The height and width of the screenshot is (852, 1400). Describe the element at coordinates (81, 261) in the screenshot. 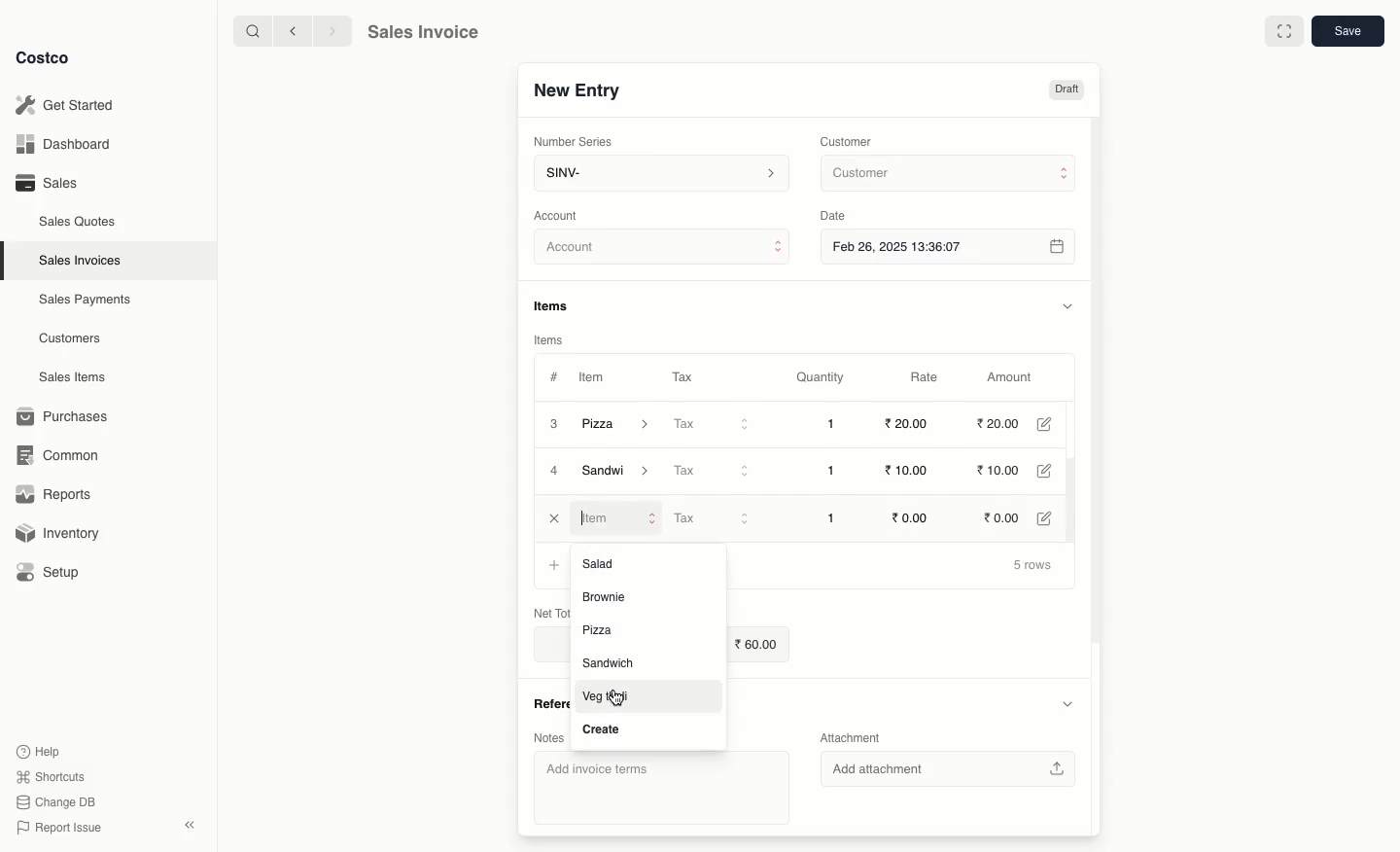

I see `Sales Invoices` at that location.